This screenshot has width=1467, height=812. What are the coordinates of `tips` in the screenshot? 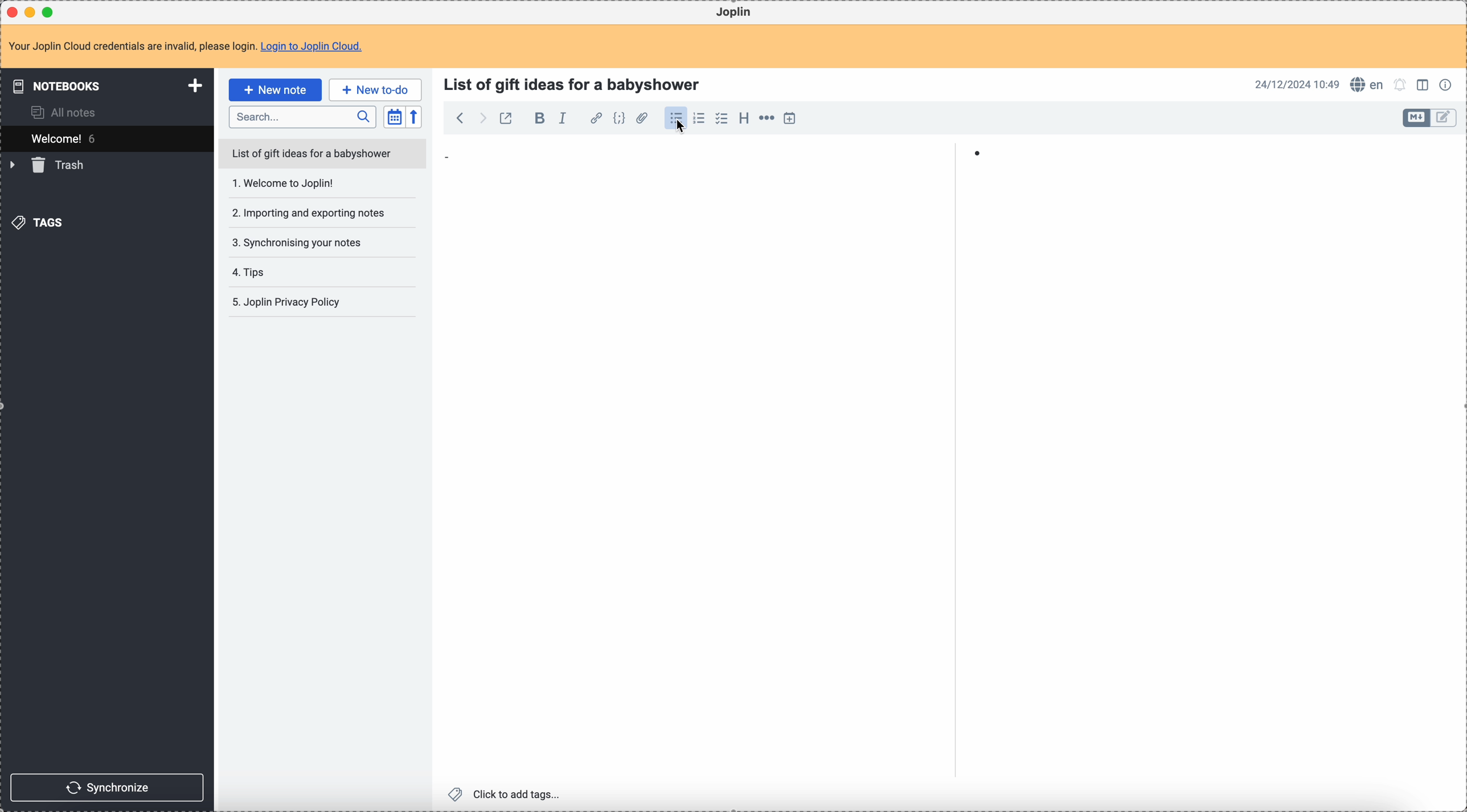 It's located at (284, 272).